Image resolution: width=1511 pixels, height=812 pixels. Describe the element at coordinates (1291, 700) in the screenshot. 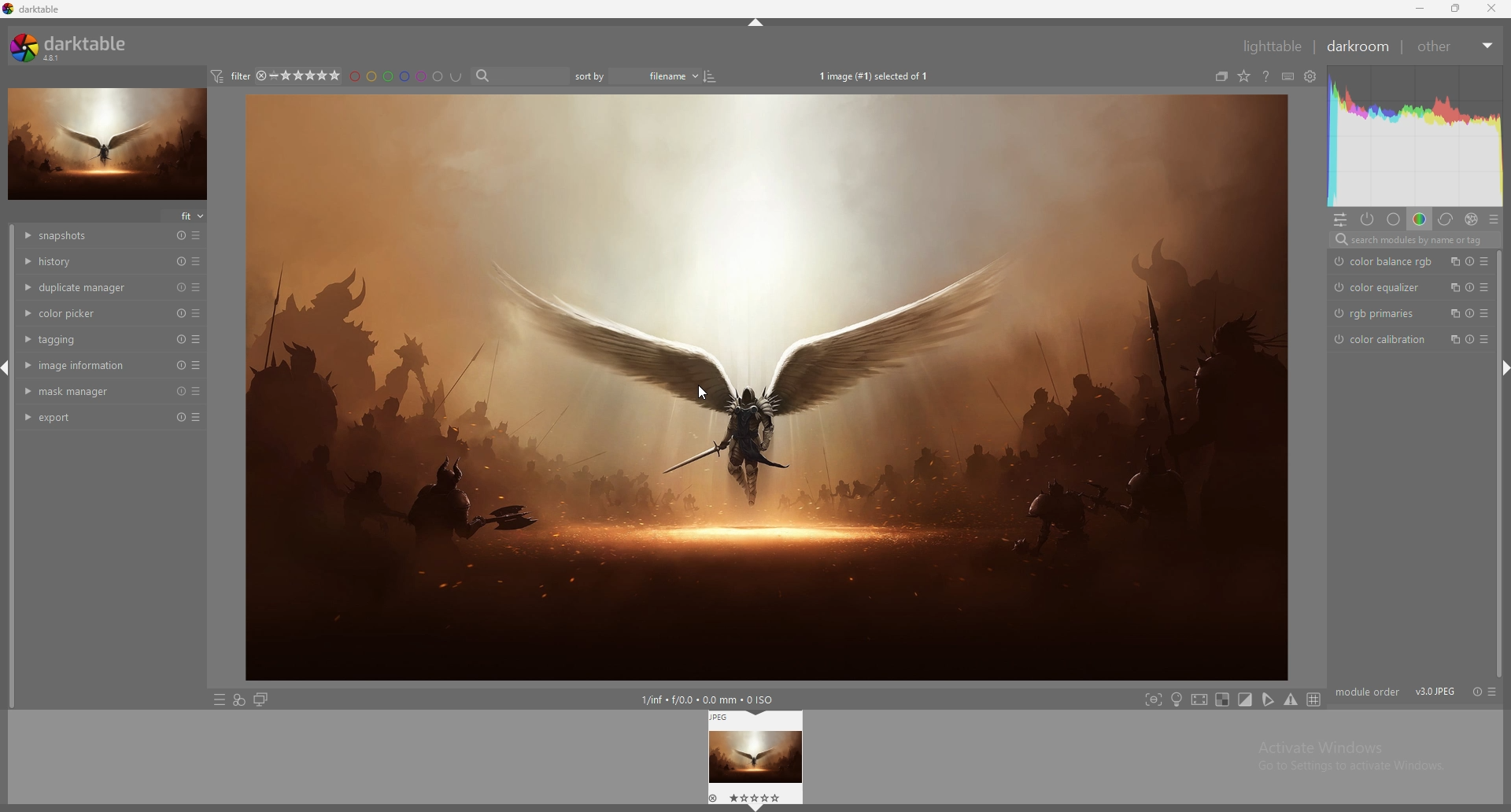

I see `toggle gamut checking` at that location.